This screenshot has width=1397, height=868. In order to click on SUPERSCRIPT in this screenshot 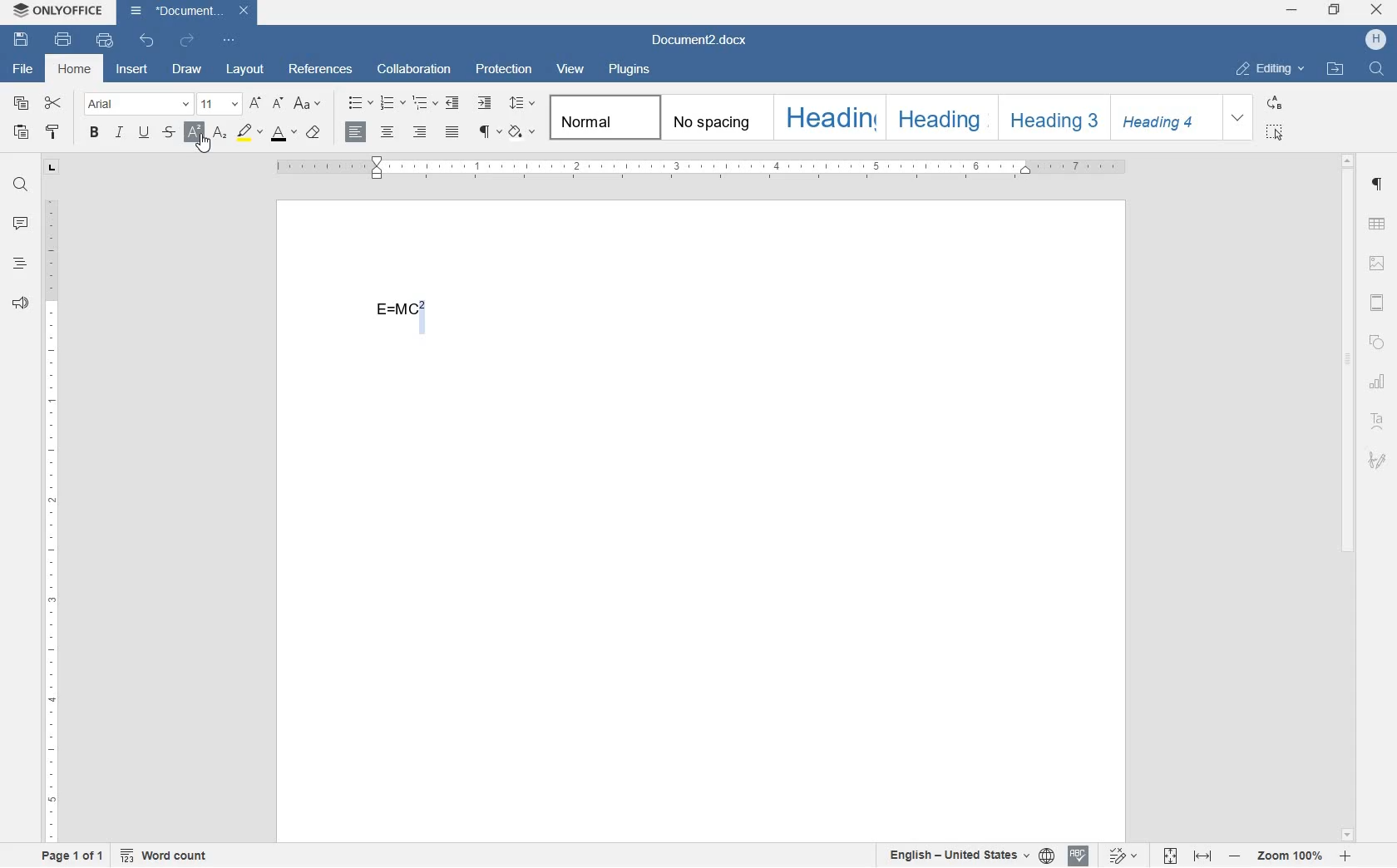, I will do `click(264, 165)`.